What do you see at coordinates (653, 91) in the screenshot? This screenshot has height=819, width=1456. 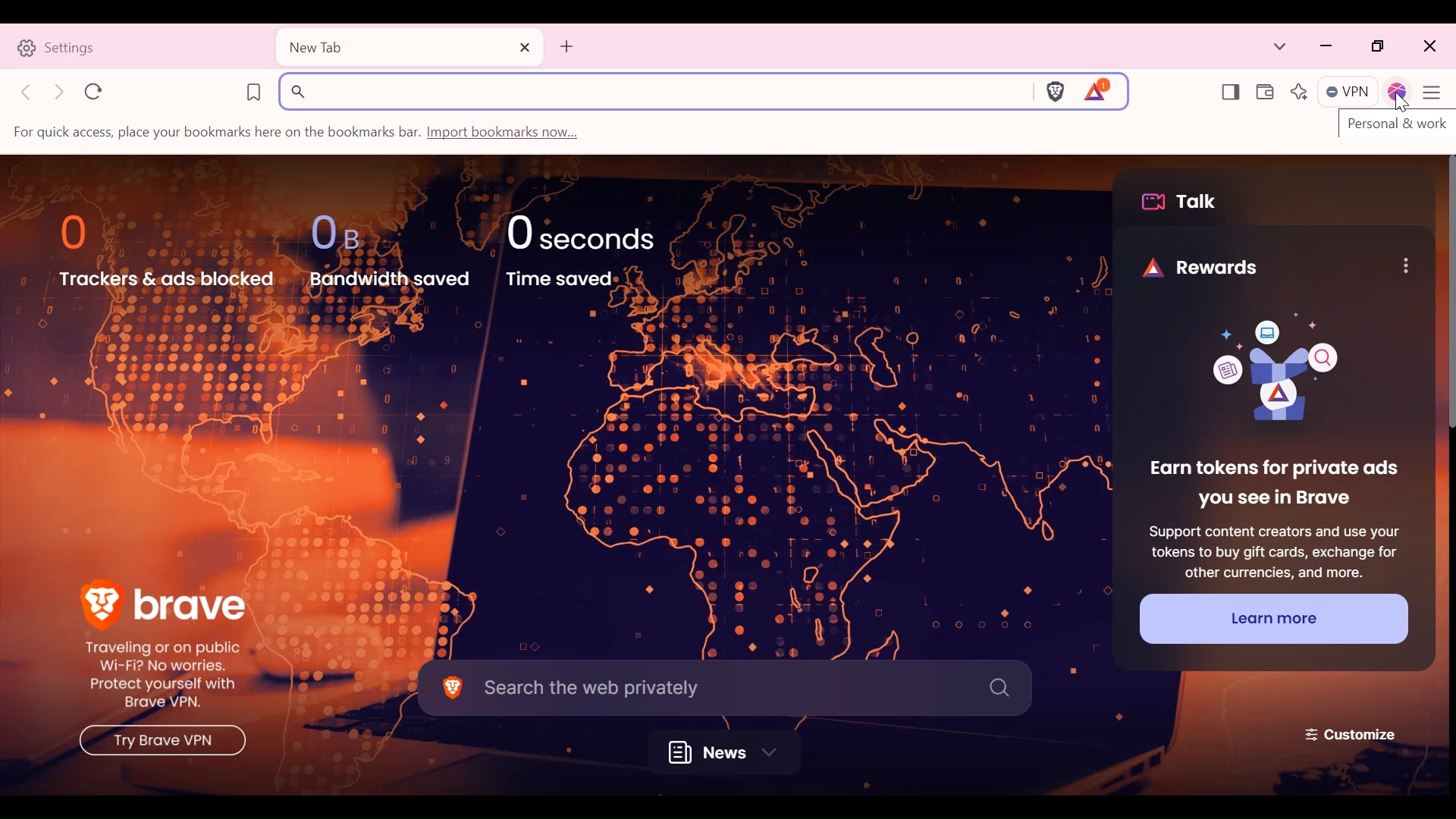 I see `Address bar` at bounding box center [653, 91].